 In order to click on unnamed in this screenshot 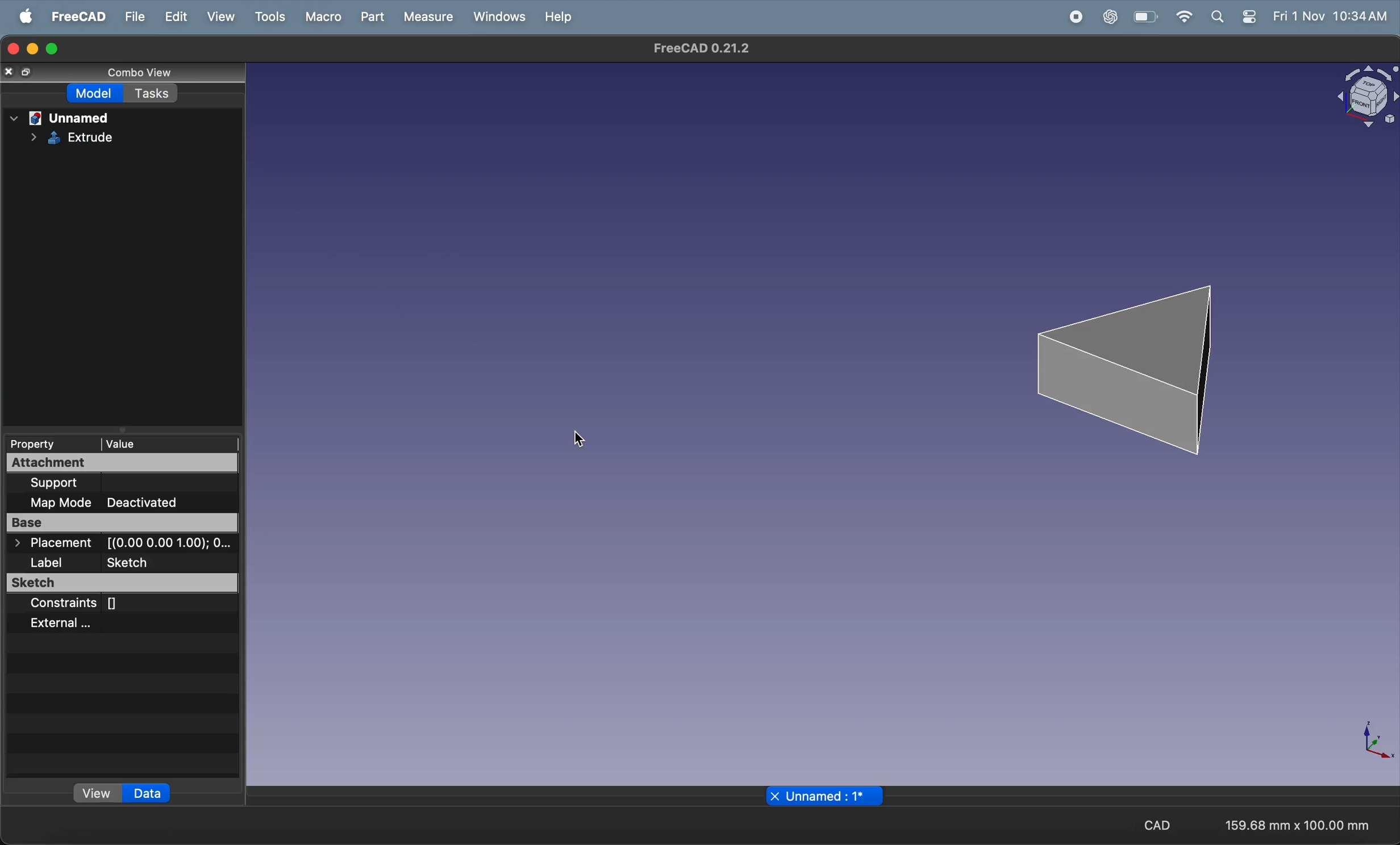, I will do `click(61, 116)`.